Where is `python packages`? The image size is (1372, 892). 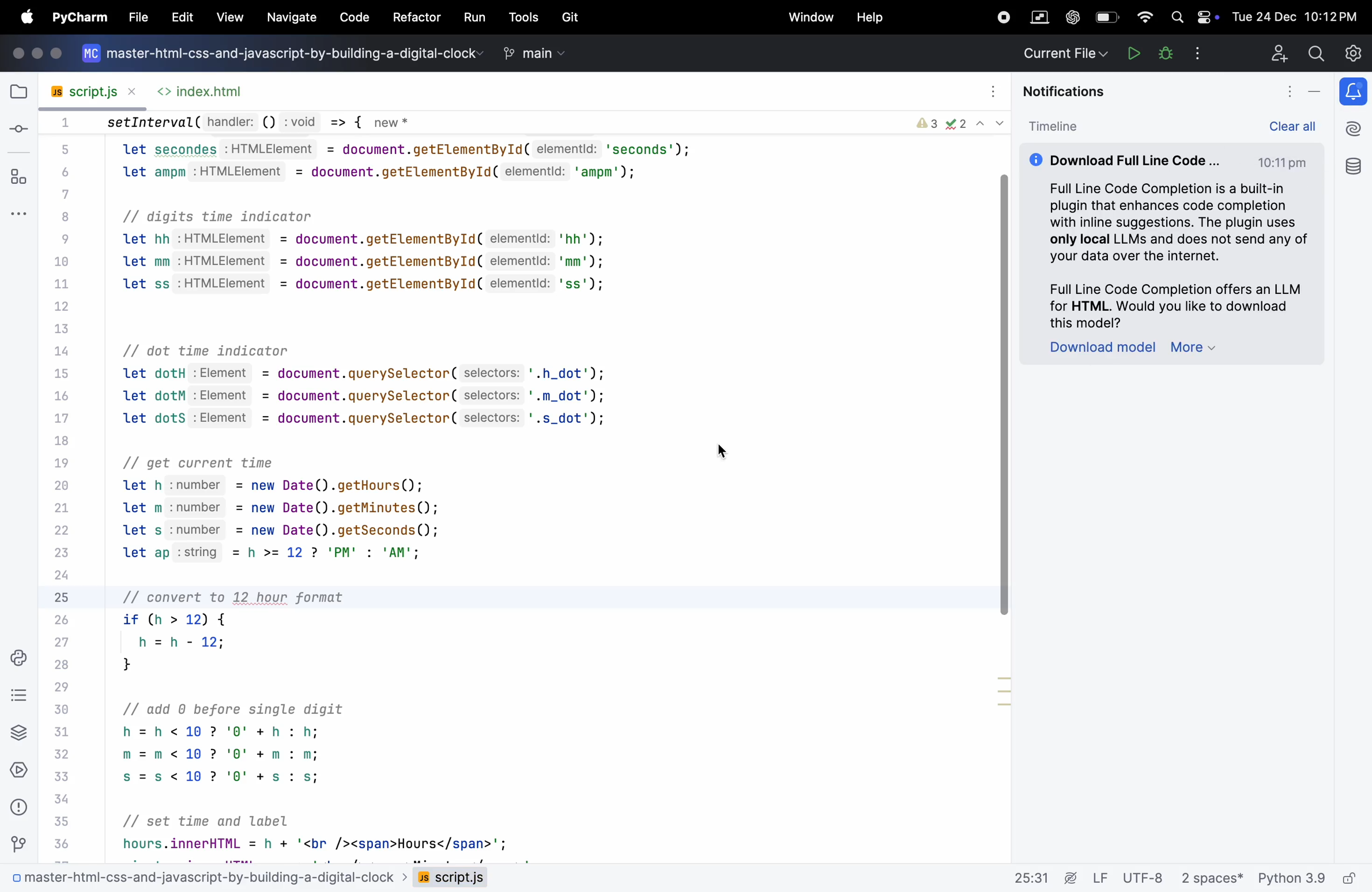
python packages is located at coordinates (18, 734).